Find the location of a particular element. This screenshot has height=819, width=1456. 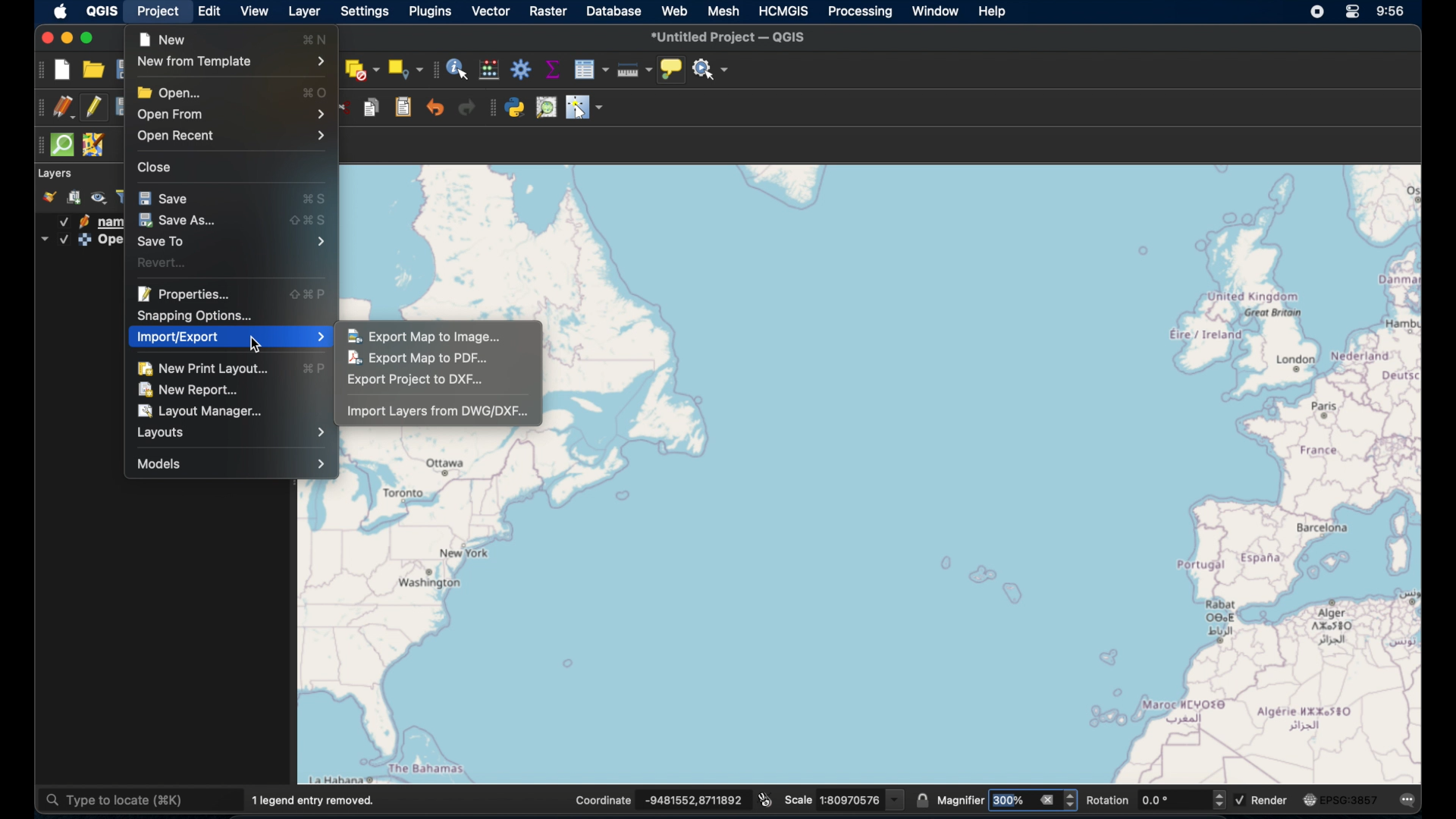

view is located at coordinates (252, 11).